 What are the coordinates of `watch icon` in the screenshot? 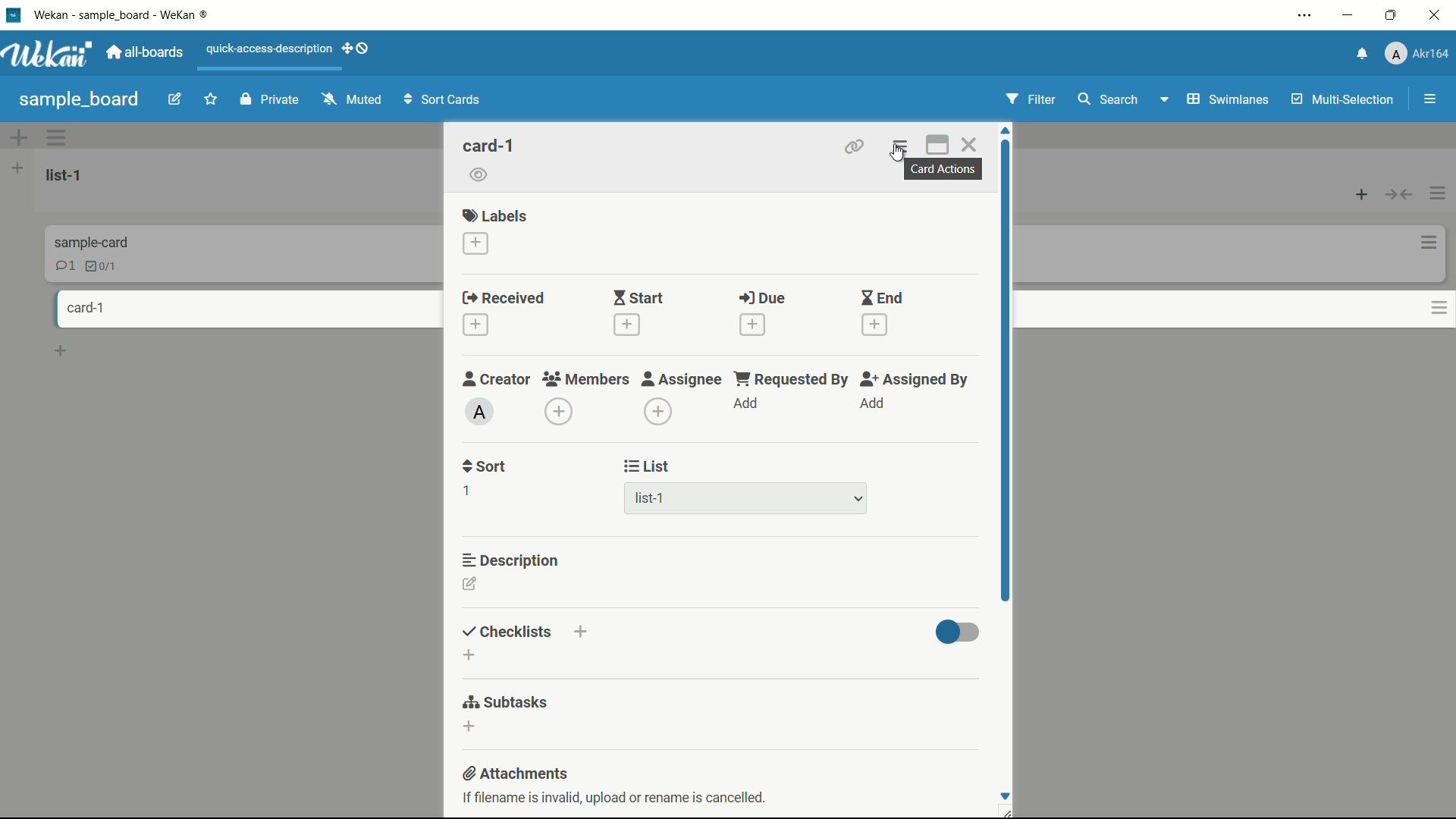 It's located at (481, 177).